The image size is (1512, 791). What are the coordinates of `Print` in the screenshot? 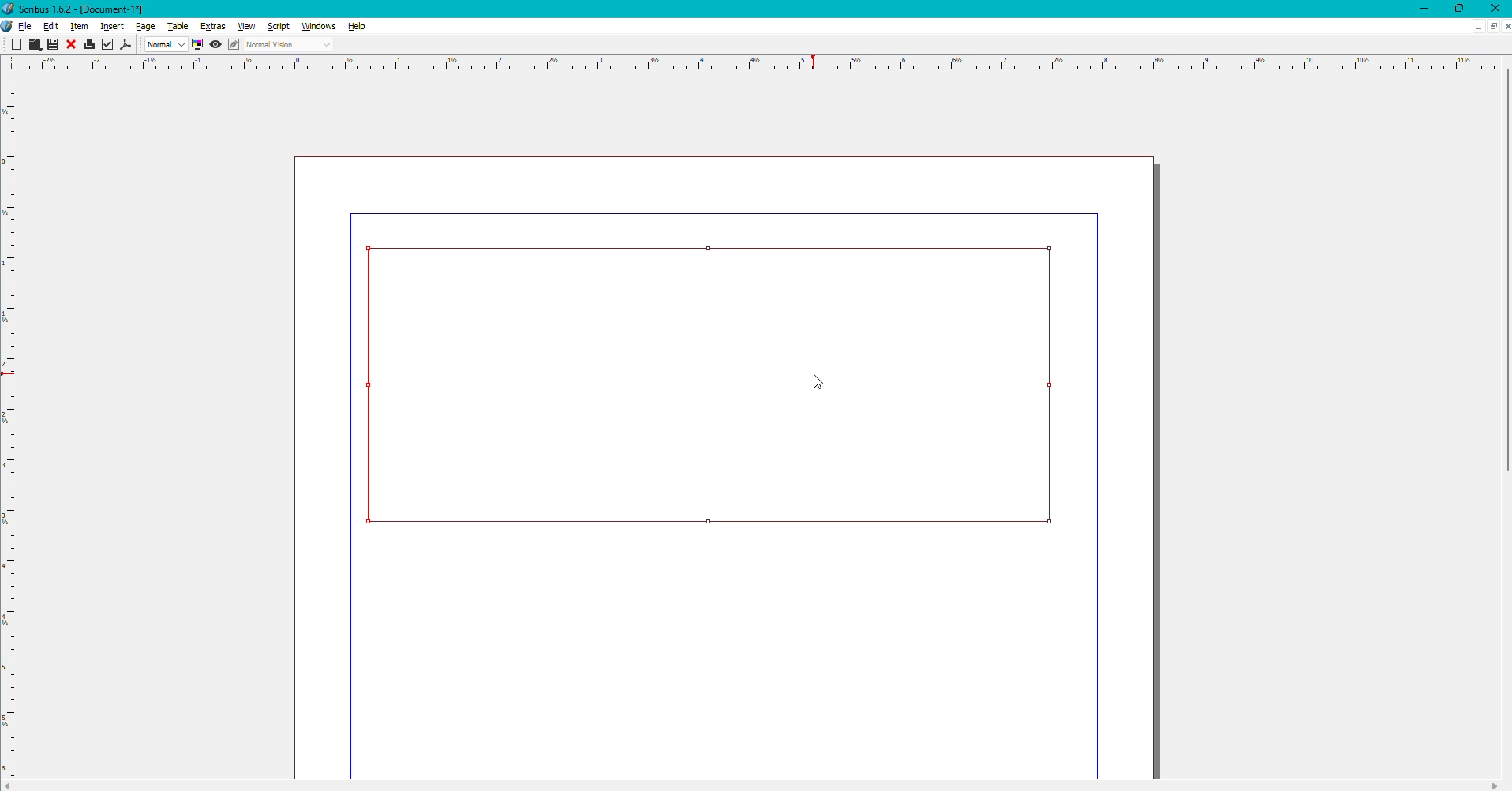 It's located at (87, 44).